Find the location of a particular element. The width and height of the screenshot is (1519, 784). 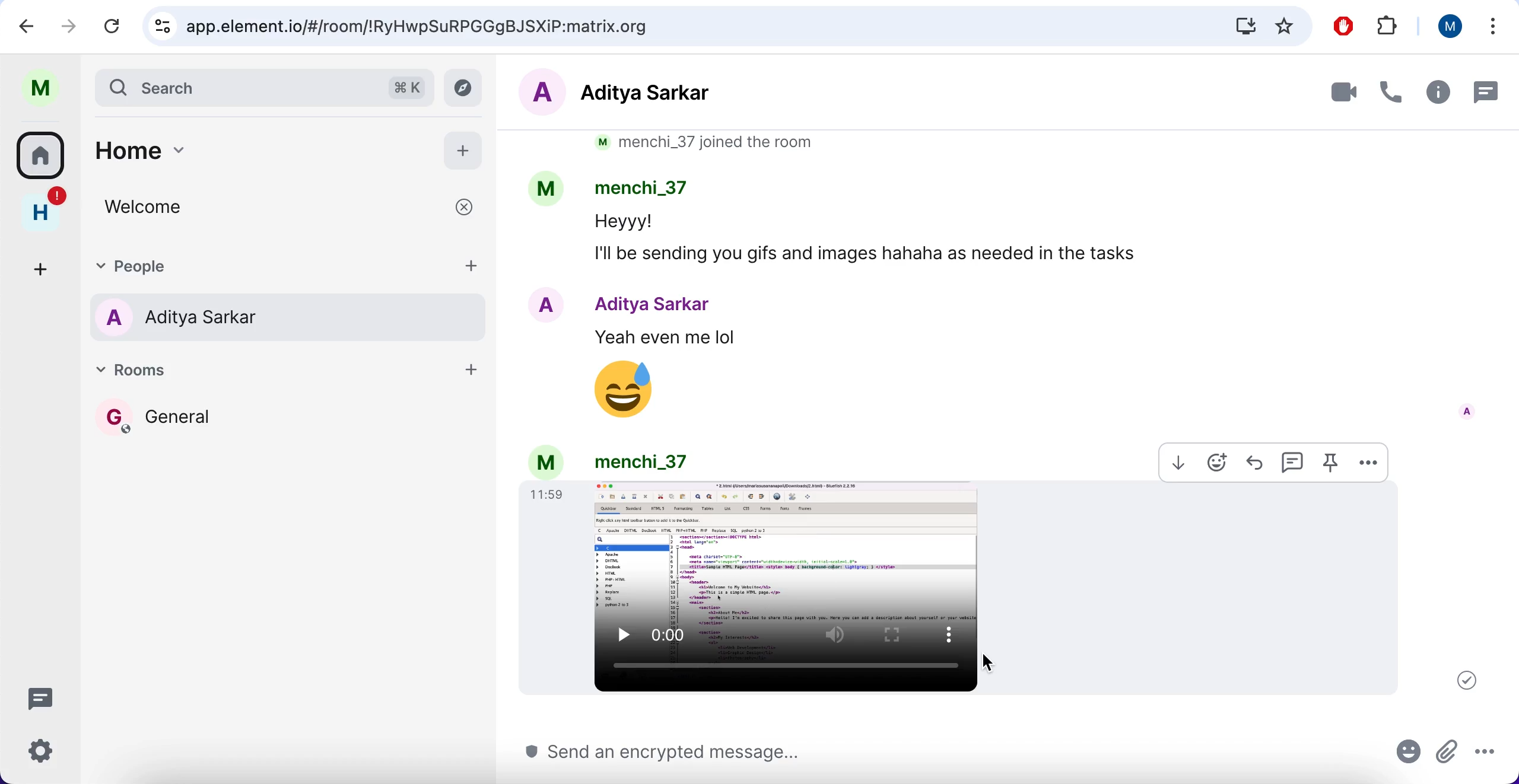

Yeah even me lol is located at coordinates (652, 337).